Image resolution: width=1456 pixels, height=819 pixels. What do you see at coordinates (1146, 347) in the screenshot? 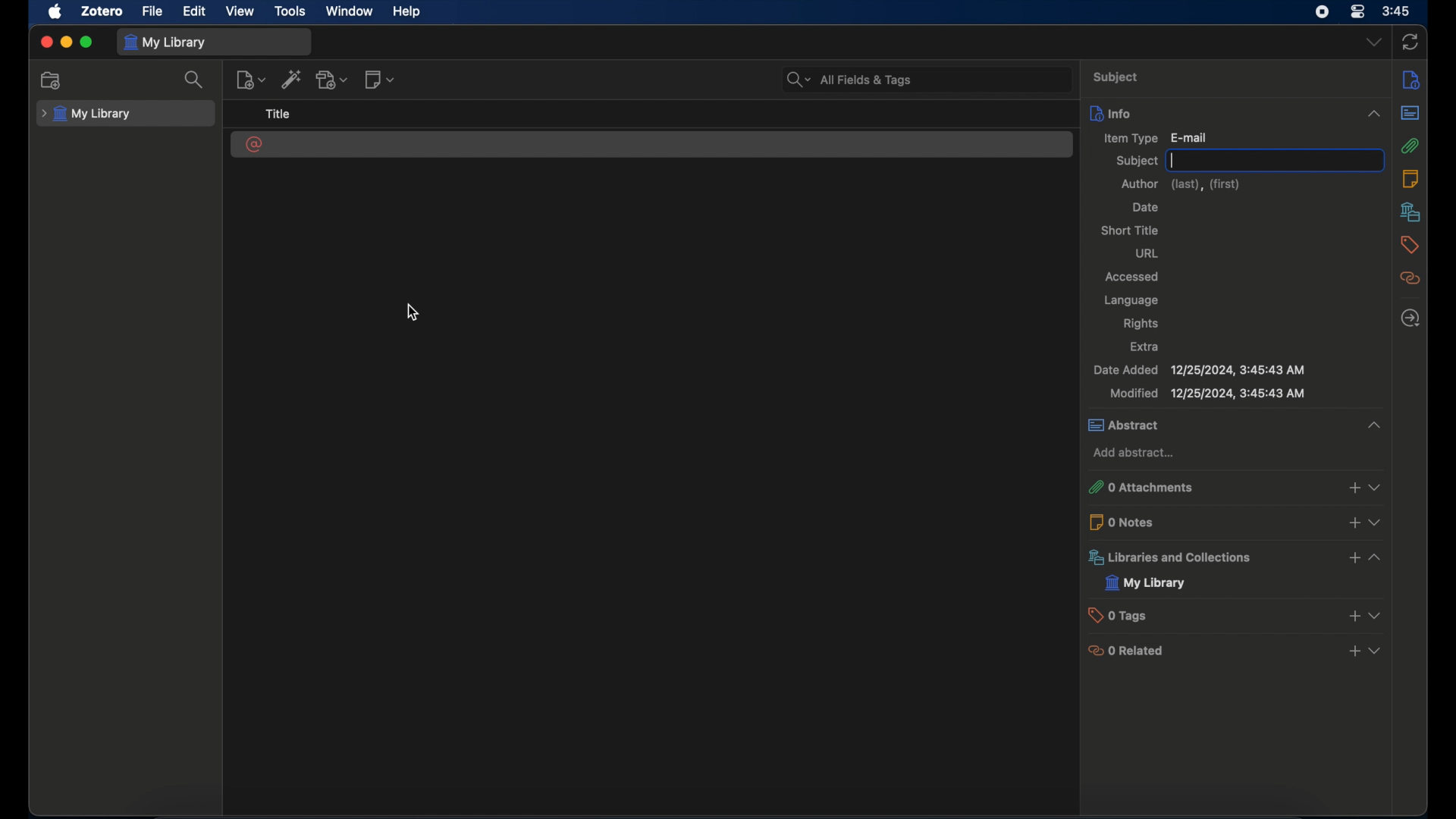
I see `extra` at bounding box center [1146, 347].